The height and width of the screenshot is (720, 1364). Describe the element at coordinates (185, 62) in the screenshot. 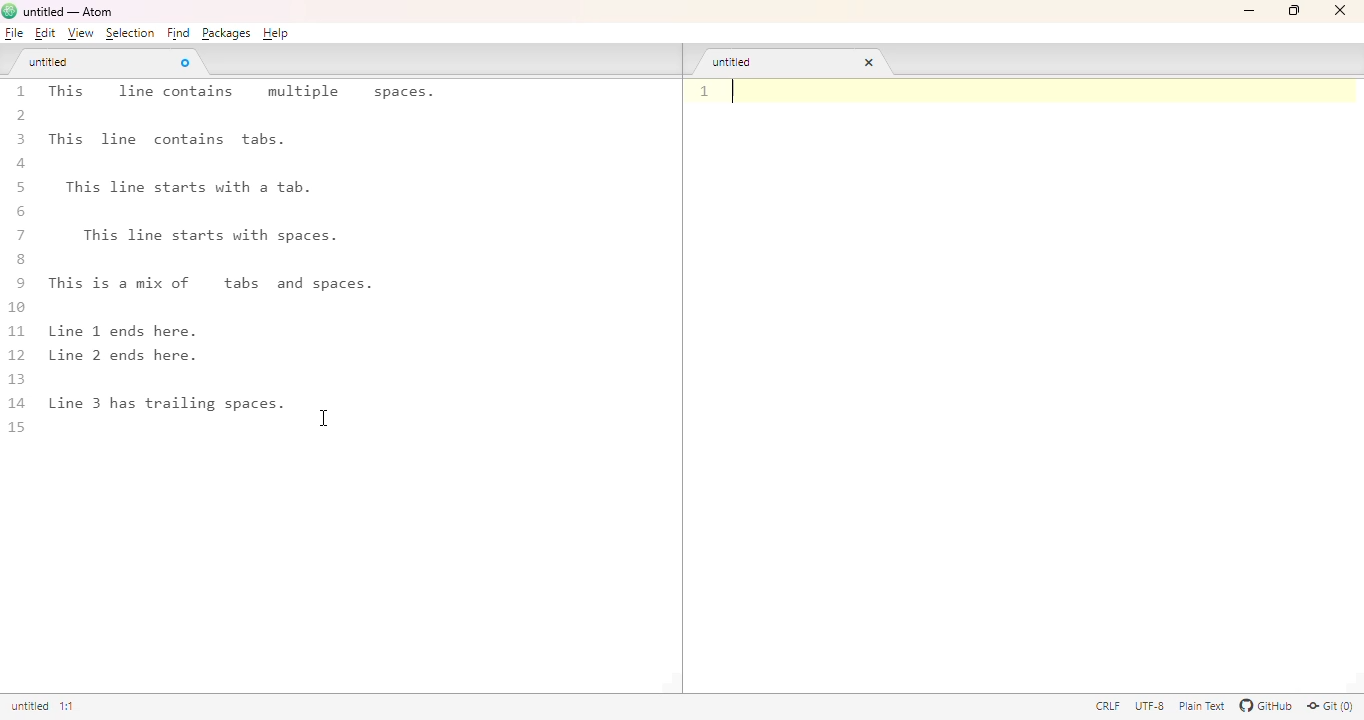

I see `close tab` at that location.